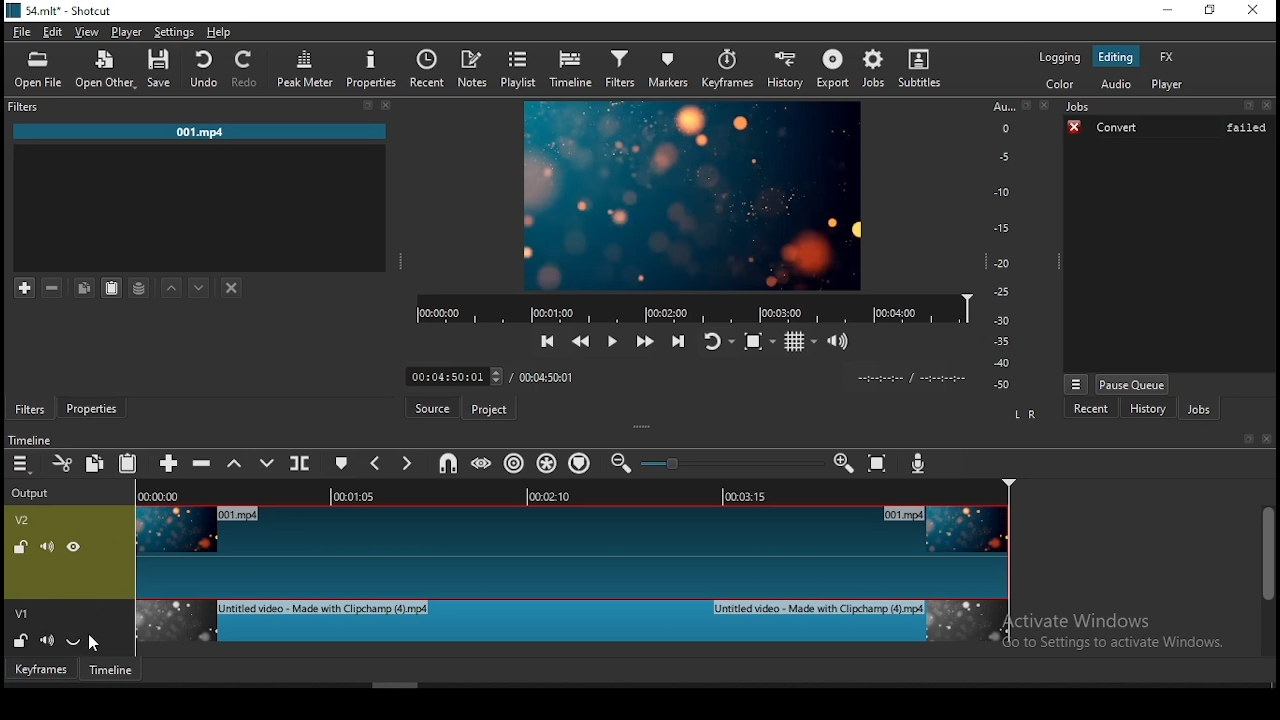 The height and width of the screenshot is (720, 1280). Describe the element at coordinates (474, 69) in the screenshot. I see `notes` at that location.